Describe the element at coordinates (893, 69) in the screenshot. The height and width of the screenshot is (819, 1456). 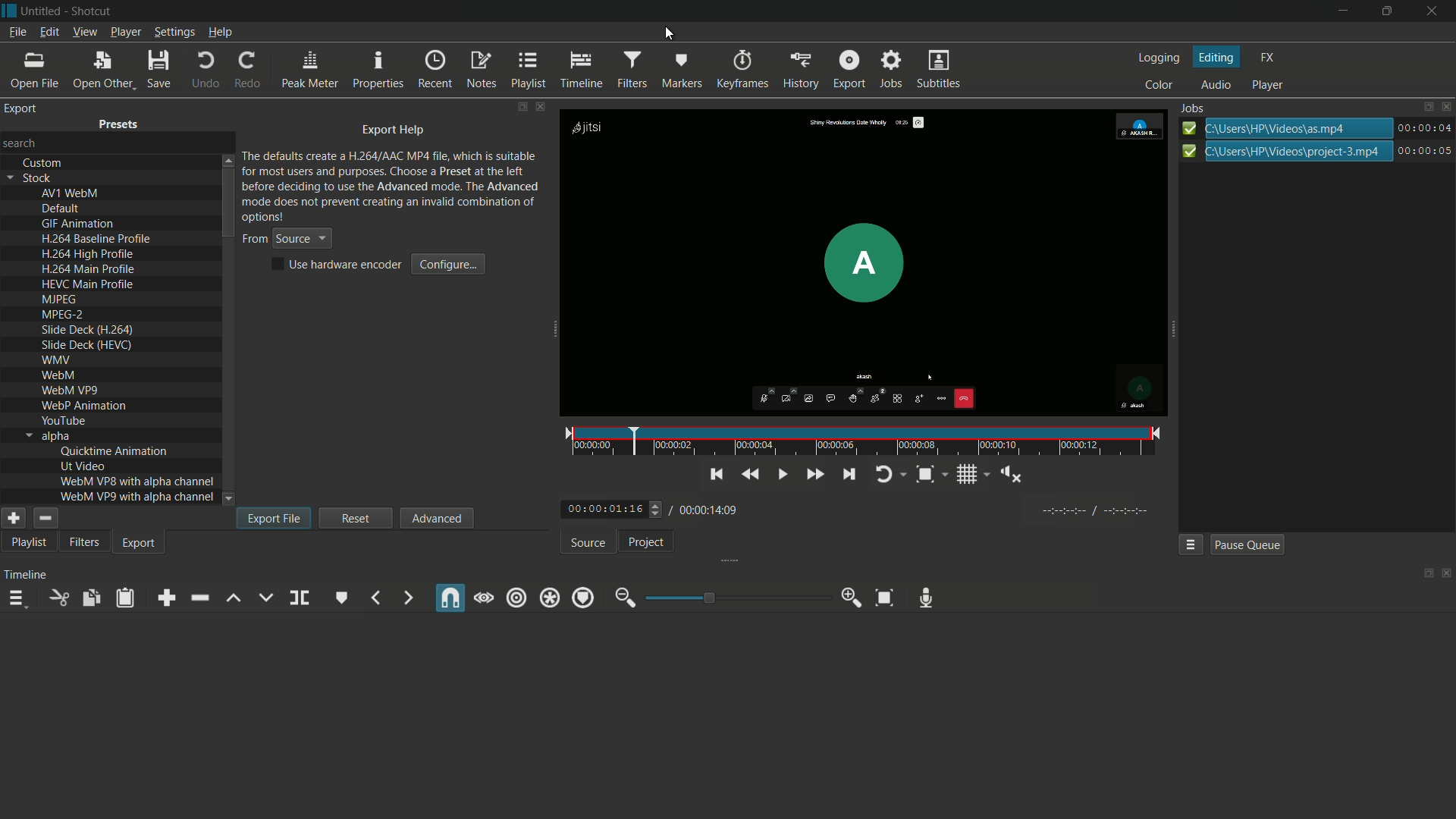
I see `jobs` at that location.